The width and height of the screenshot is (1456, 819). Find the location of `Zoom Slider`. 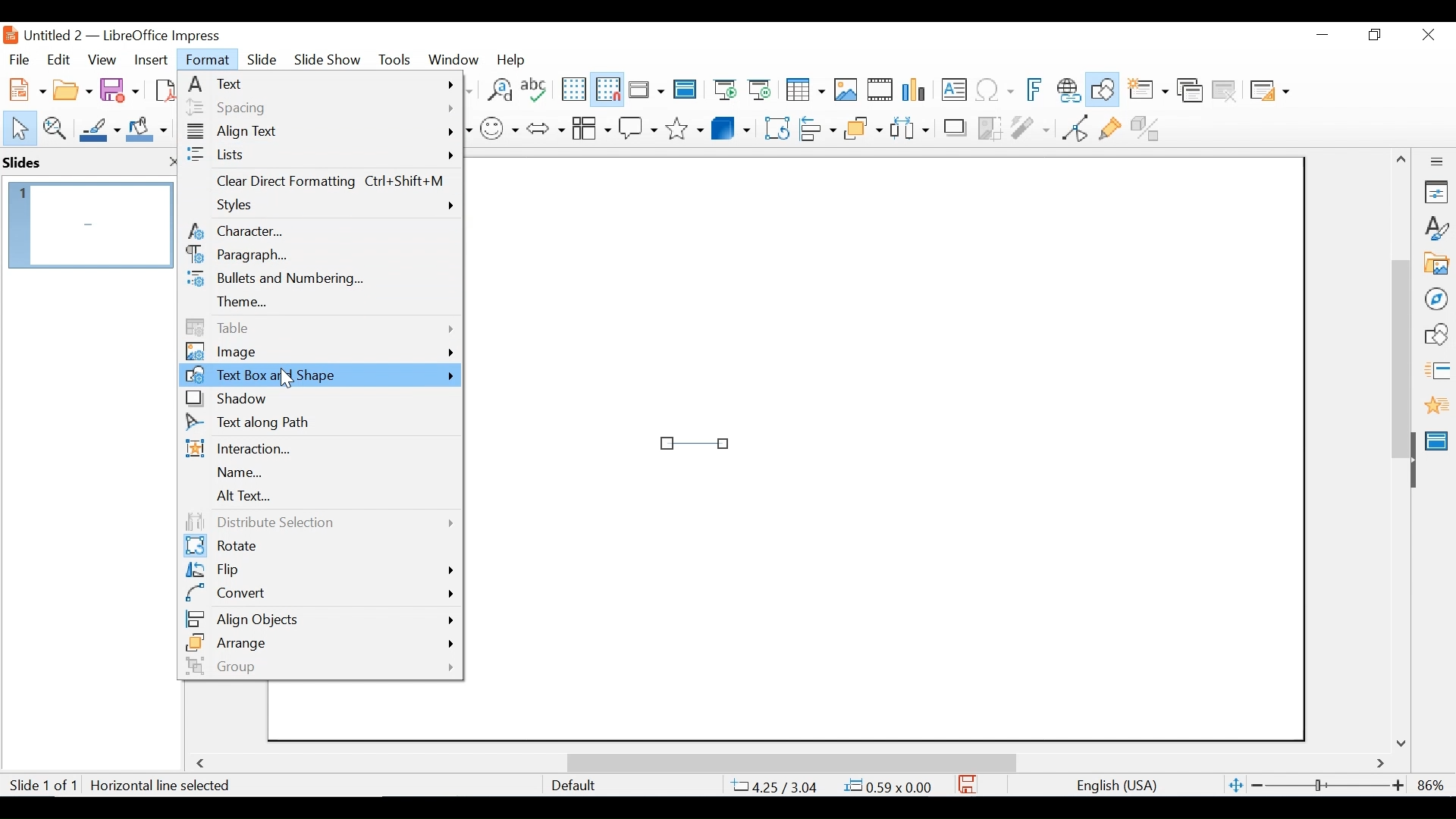

Zoom Slider is located at coordinates (1326, 786).